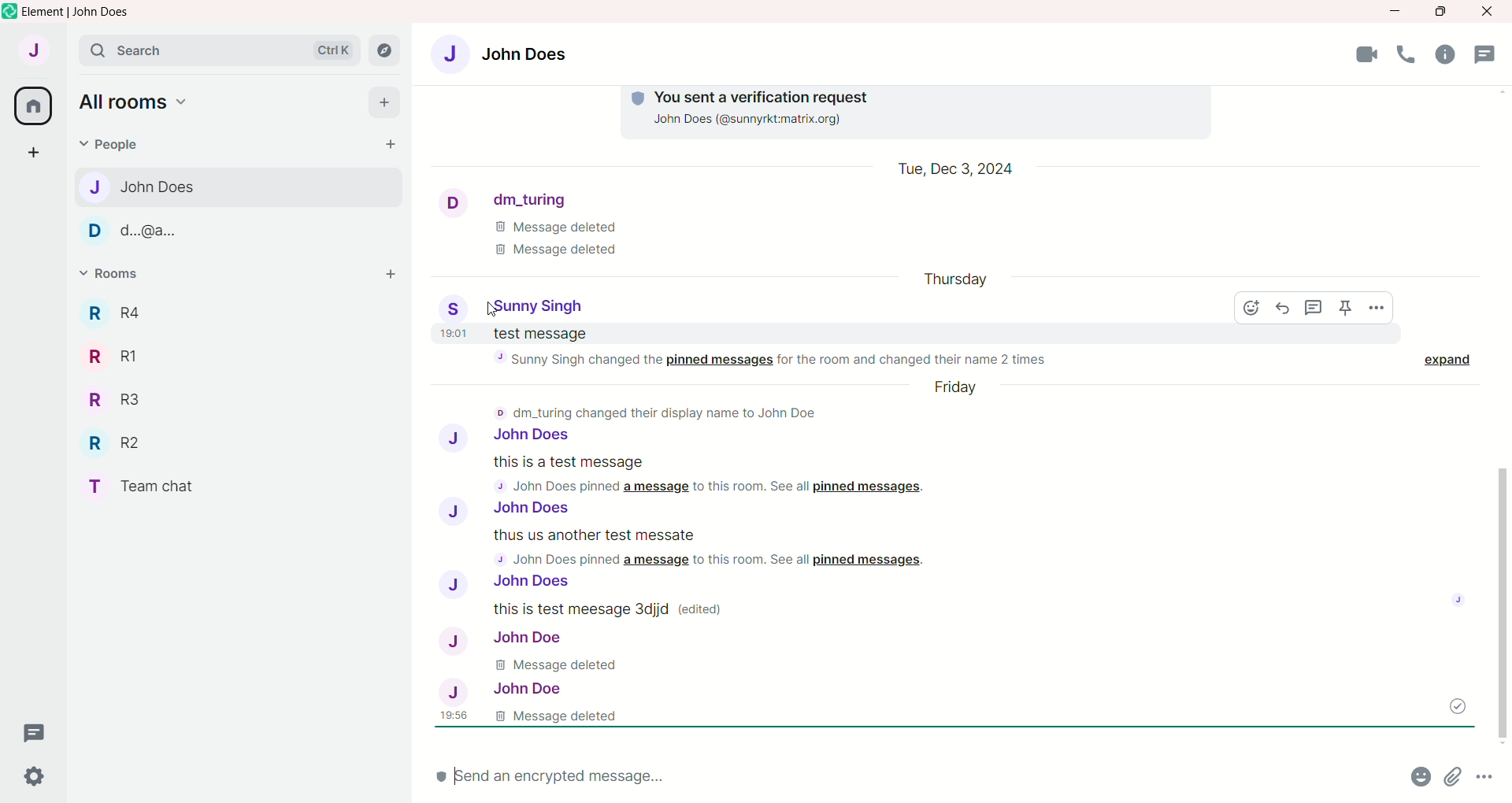  I want to click on John Does, so click(502, 637).